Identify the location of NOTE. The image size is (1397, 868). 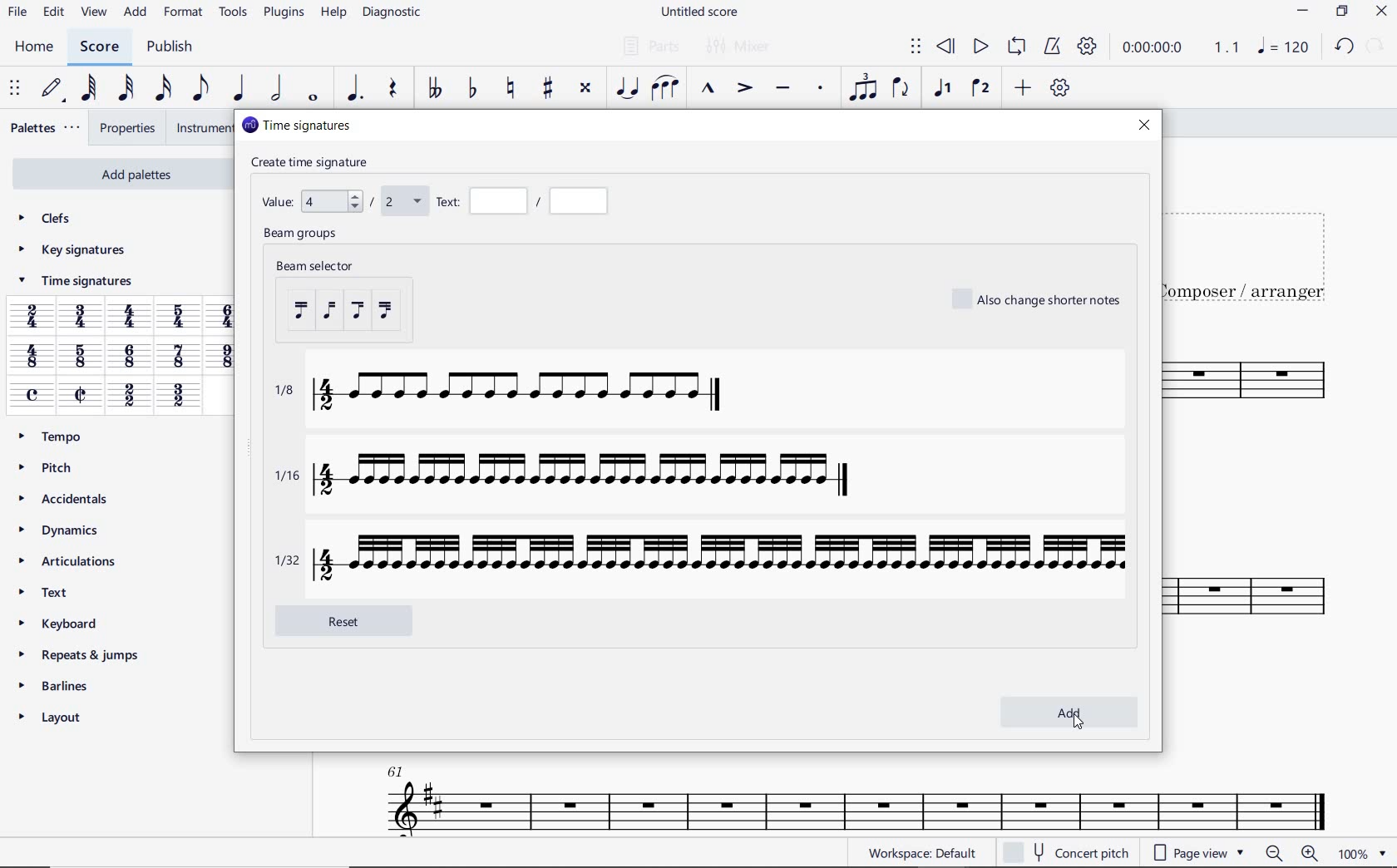
(1282, 46).